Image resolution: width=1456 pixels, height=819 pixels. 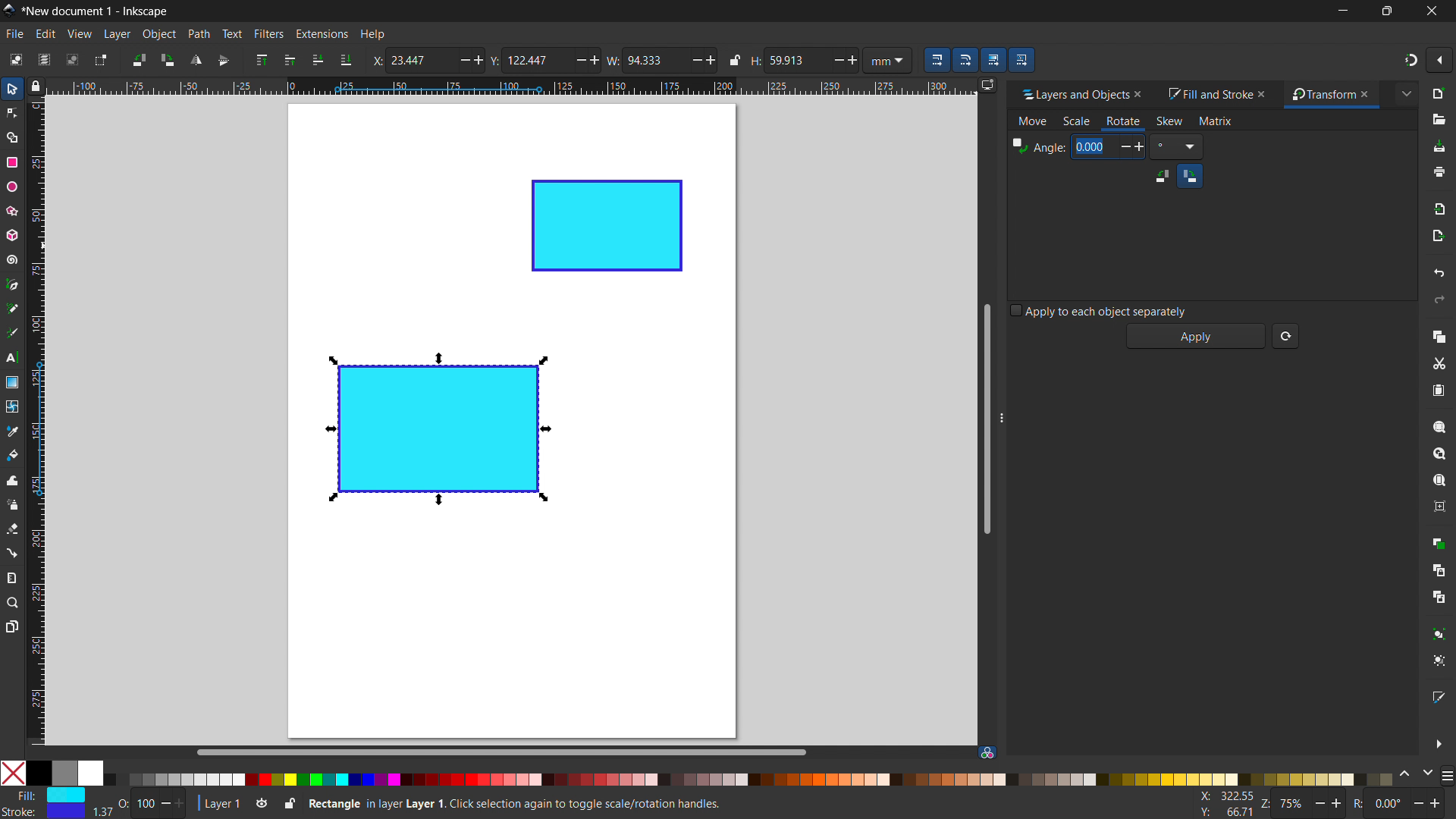 I want to click on Add/ increase, so click(x=710, y=59).